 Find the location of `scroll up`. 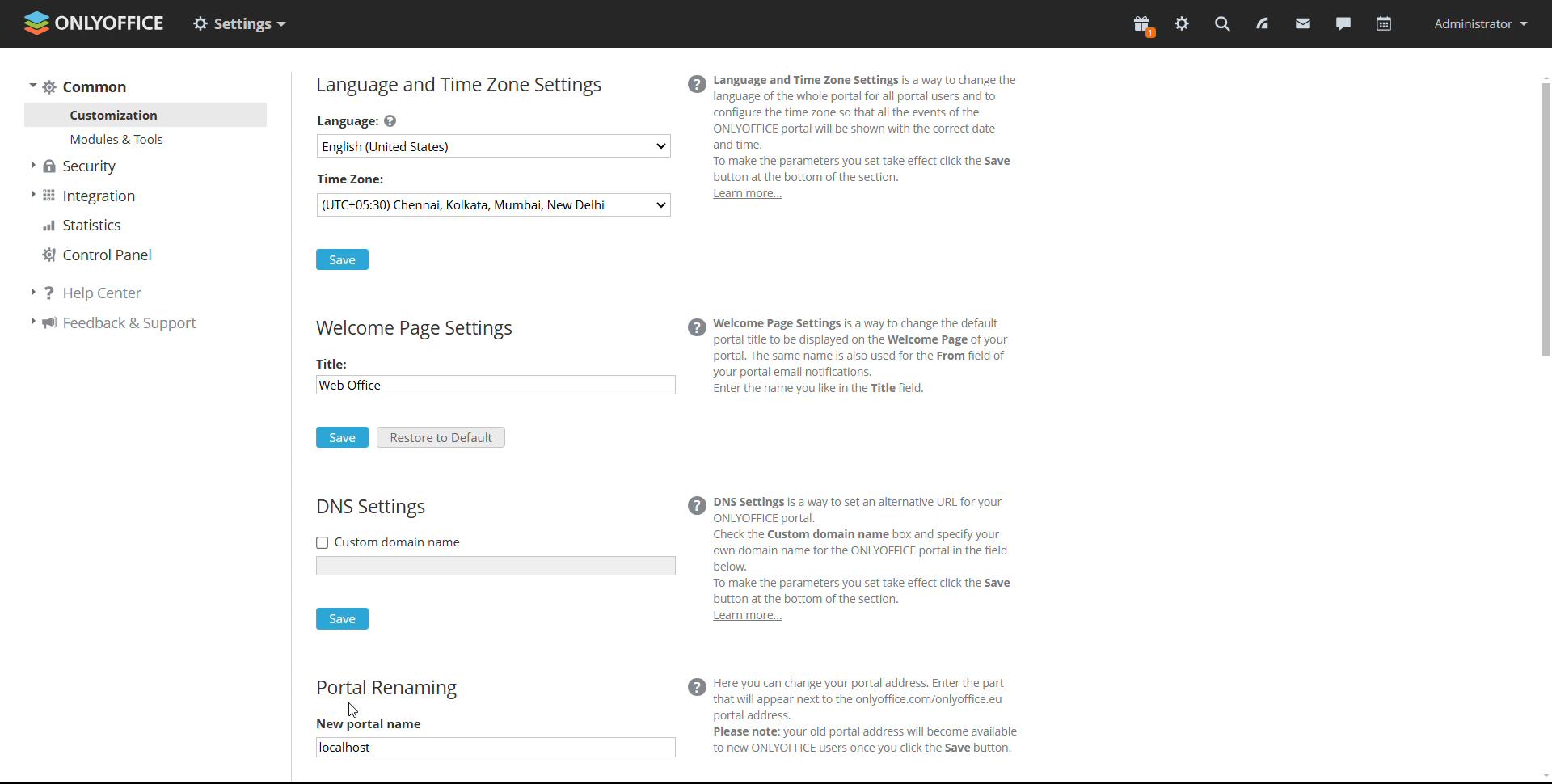

scroll up is located at coordinates (1542, 75).